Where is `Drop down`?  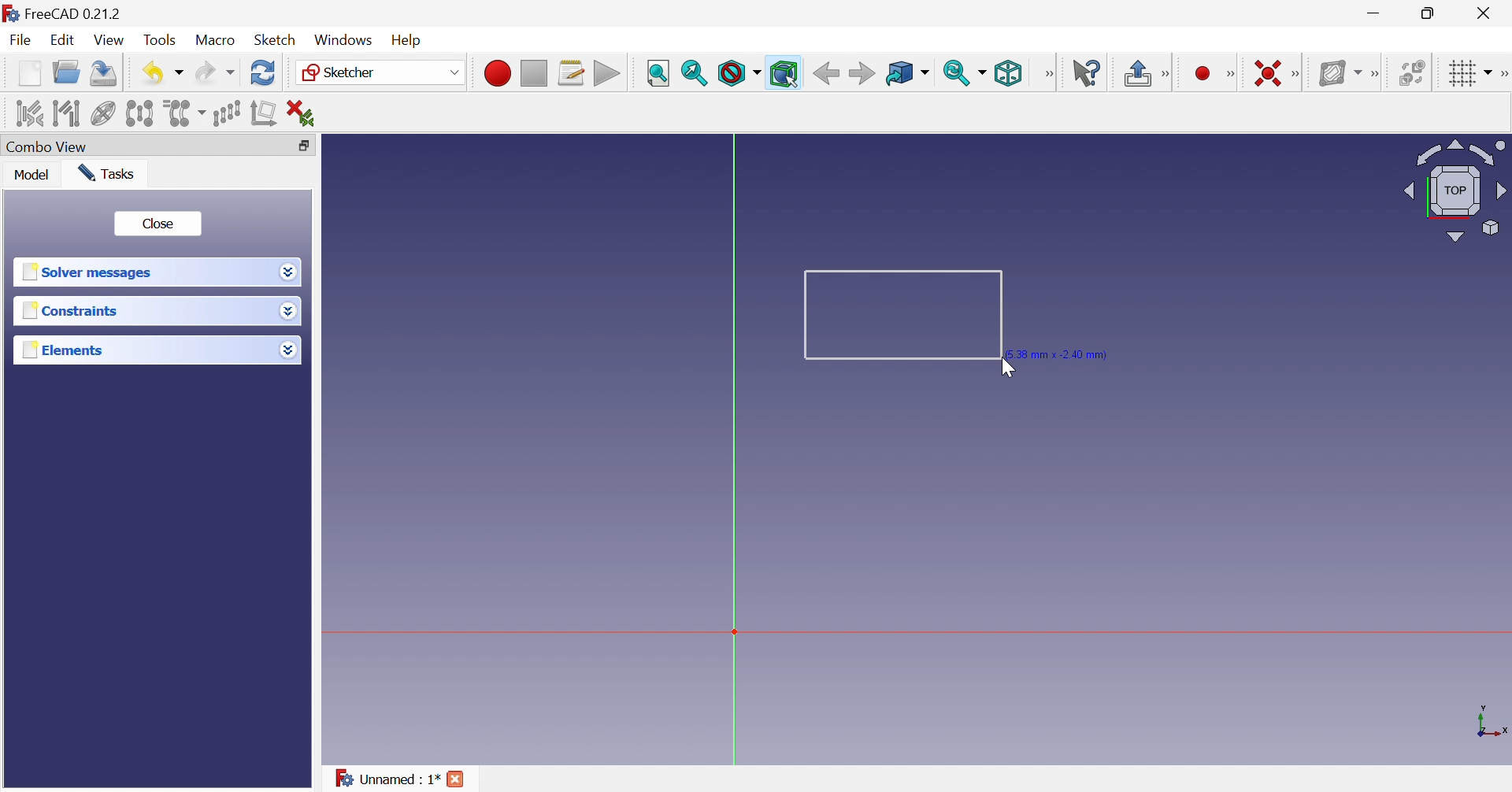 Drop down is located at coordinates (291, 273).